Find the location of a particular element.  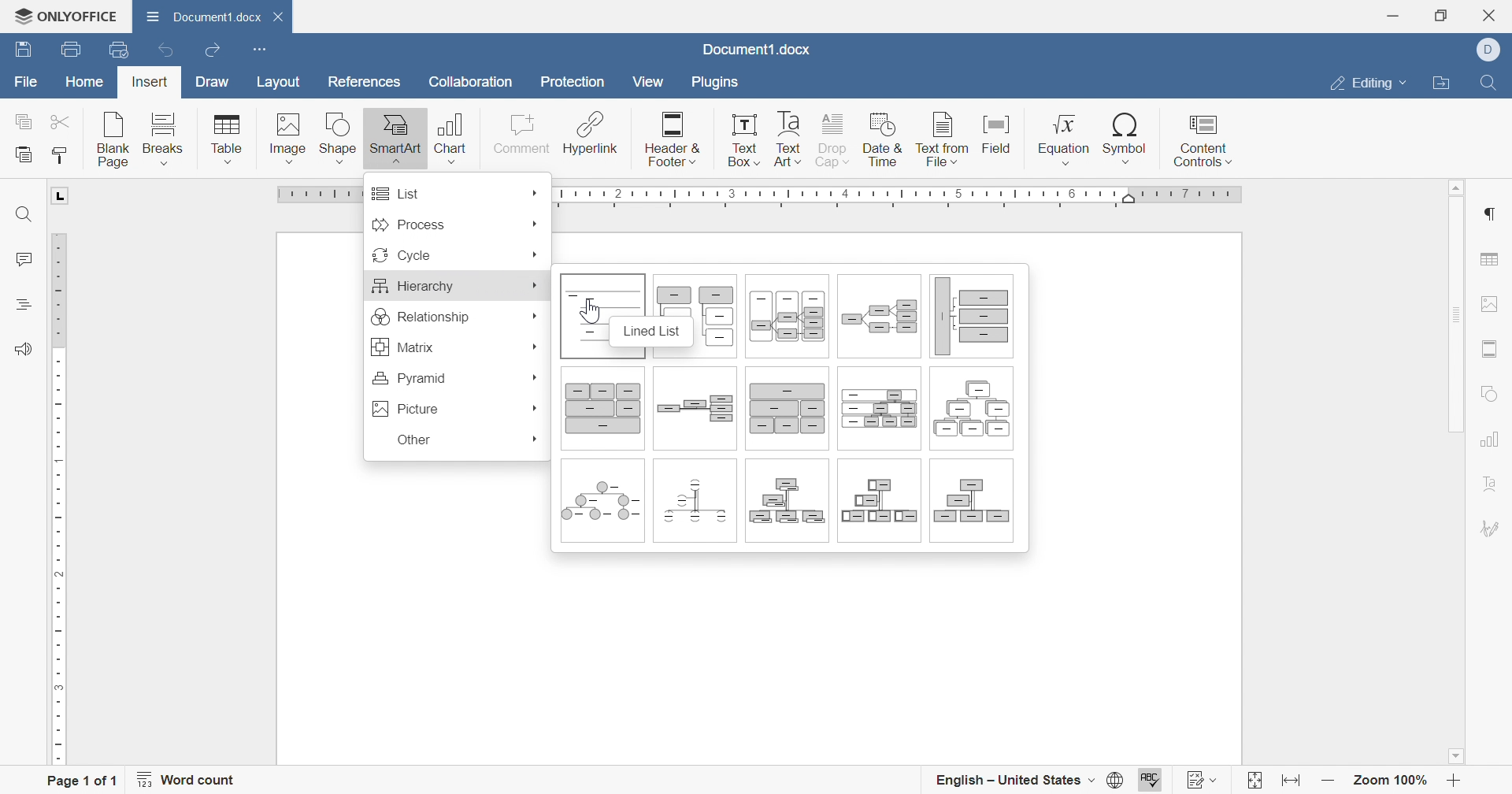

Editing is located at coordinates (1366, 84).